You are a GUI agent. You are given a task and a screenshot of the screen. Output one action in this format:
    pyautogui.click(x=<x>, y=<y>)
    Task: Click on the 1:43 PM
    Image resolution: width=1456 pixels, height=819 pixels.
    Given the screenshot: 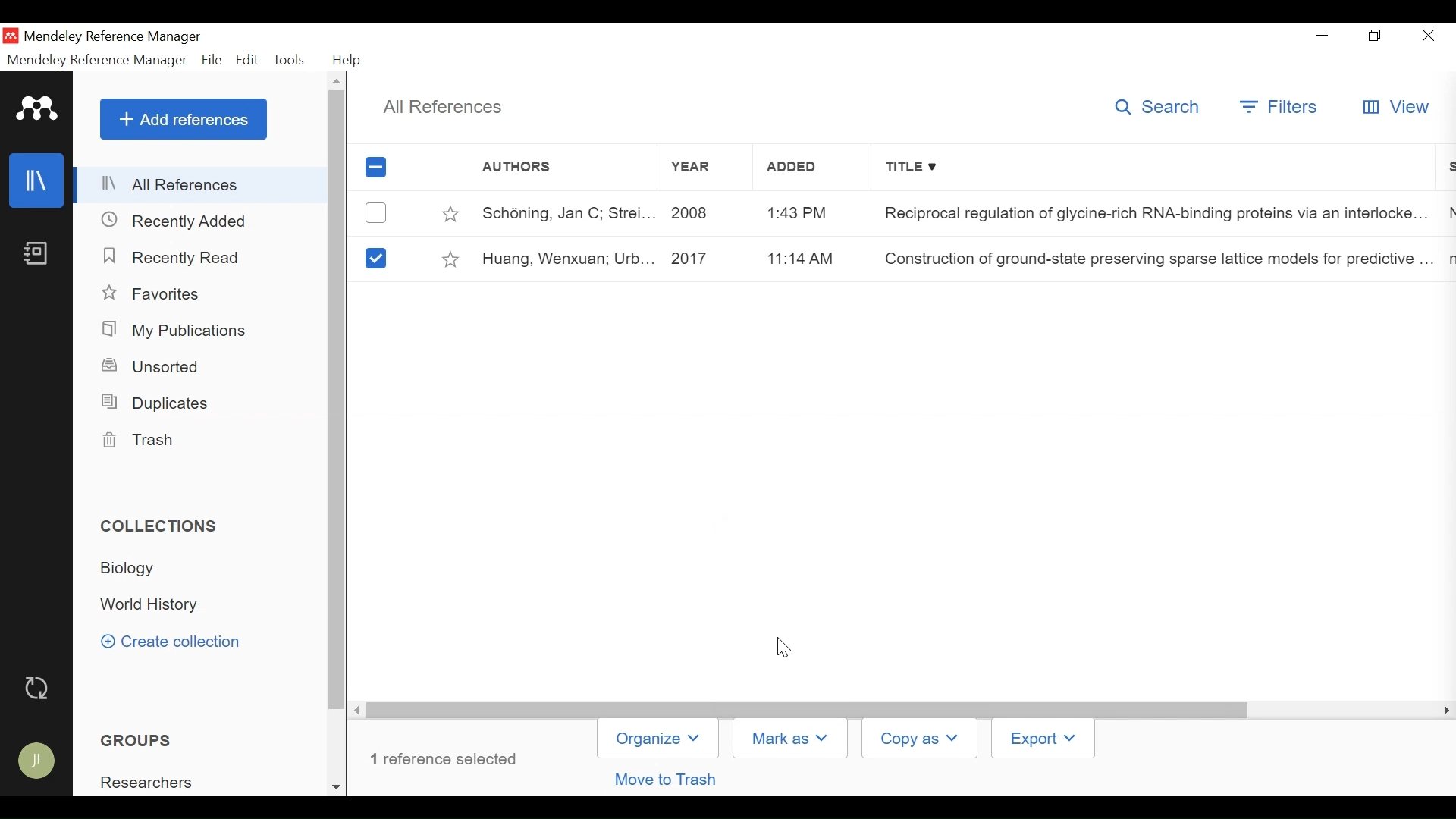 What is the action you would take?
    pyautogui.click(x=797, y=212)
    